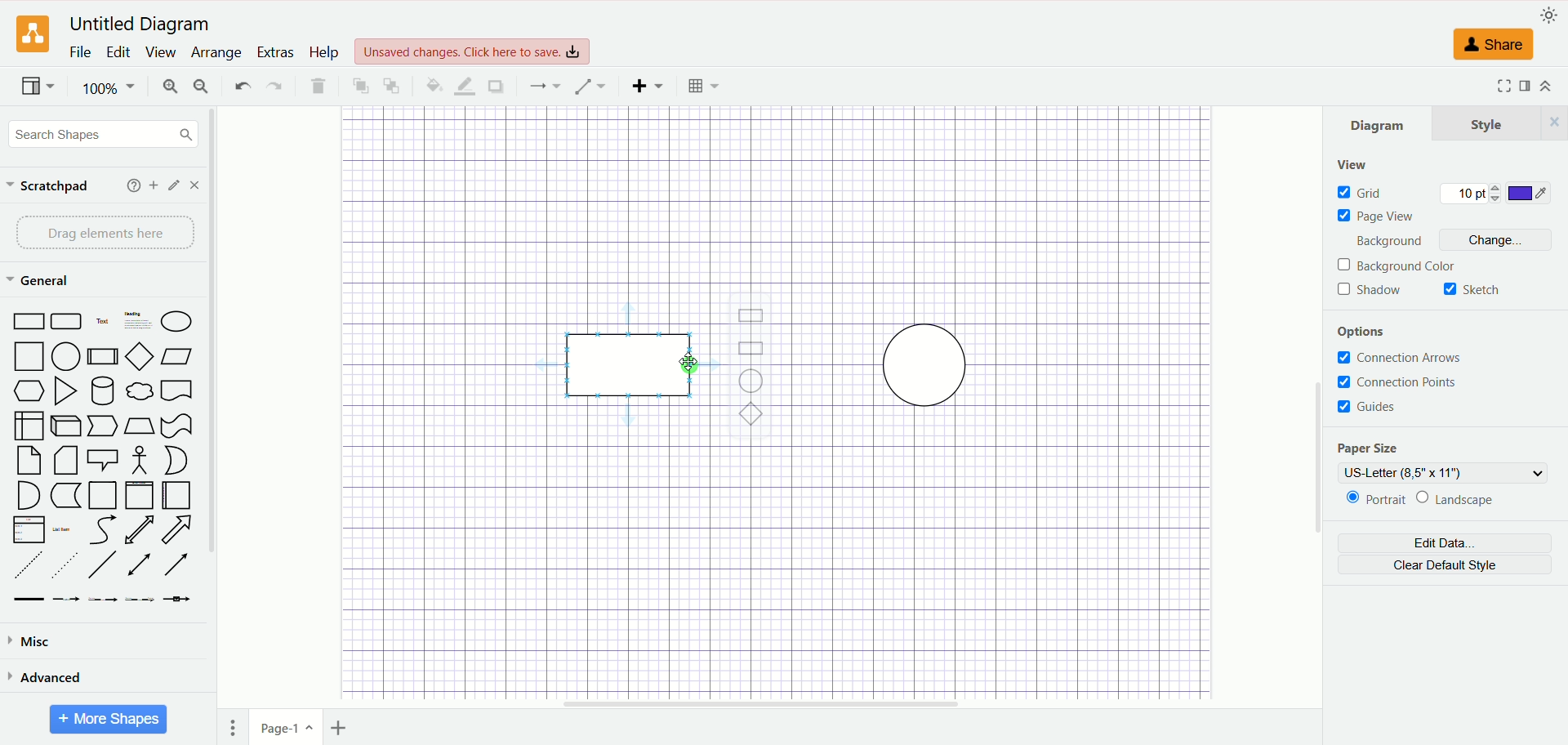 The image size is (1568, 745). Describe the element at coordinates (30, 321) in the screenshot. I see `Rectangle` at that location.